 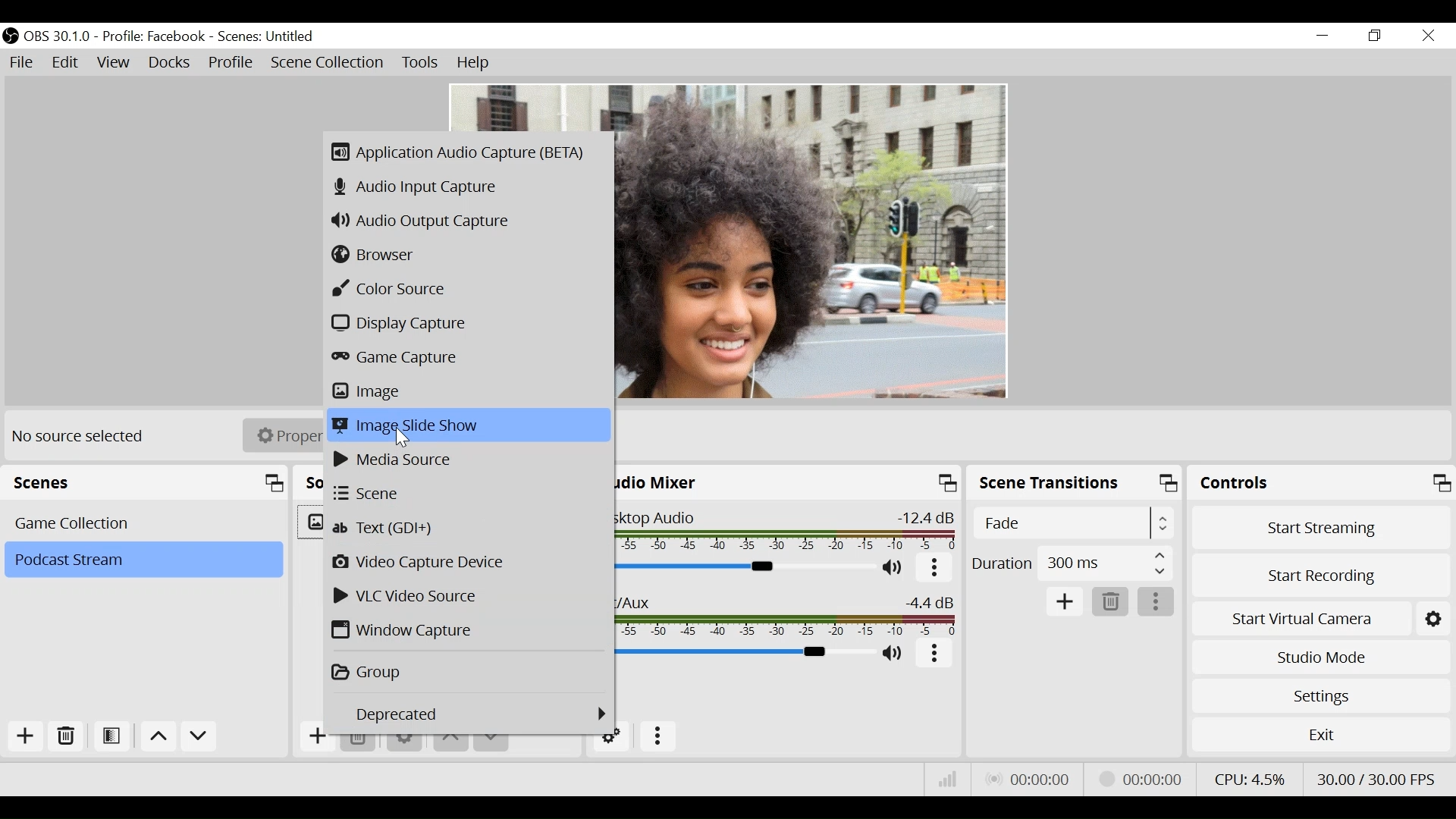 What do you see at coordinates (466, 595) in the screenshot?
I see `VLC Video Source` at bounding box center [466, 595].